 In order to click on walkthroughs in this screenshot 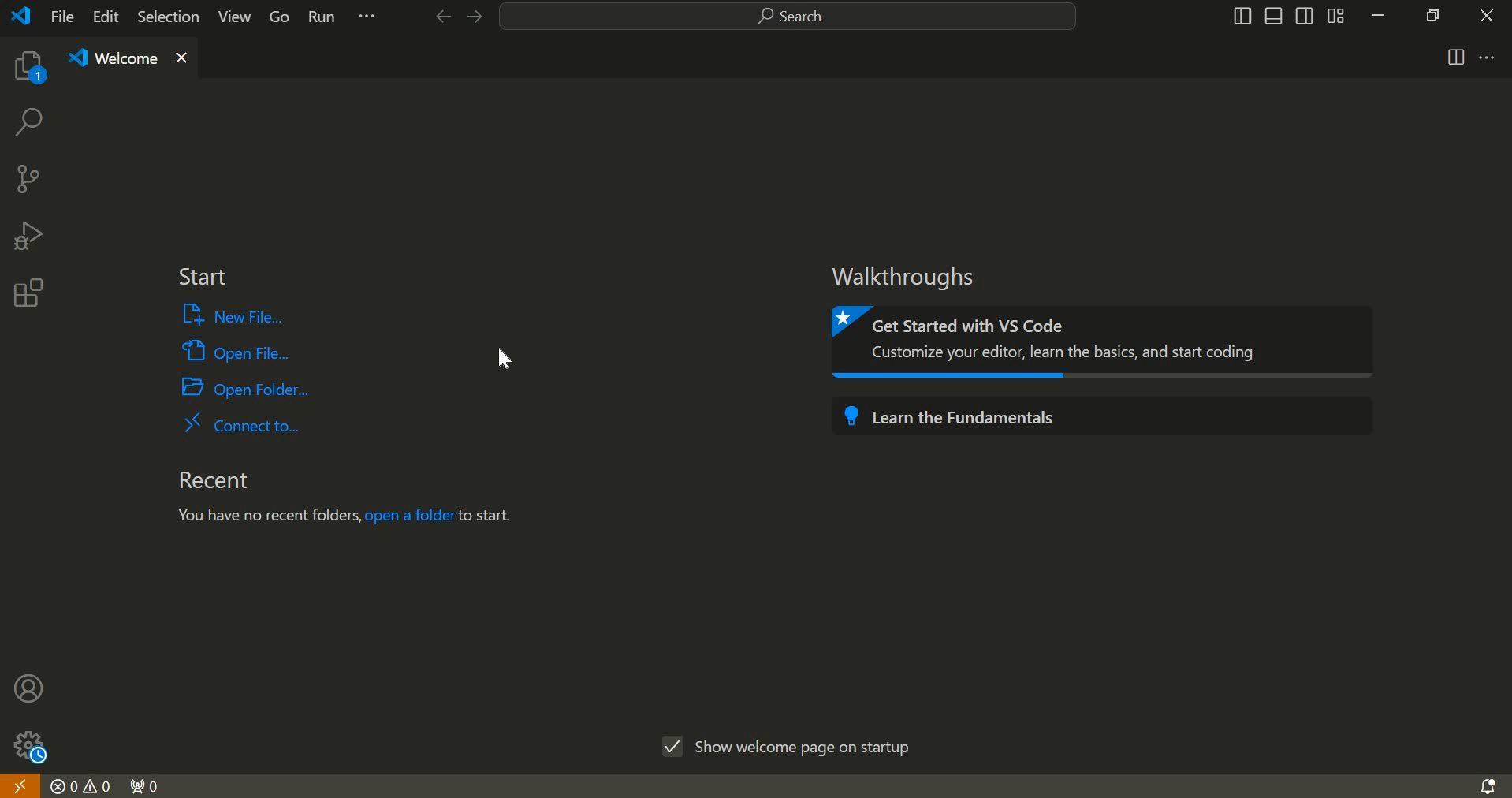, I will do `click(911, 277)`.